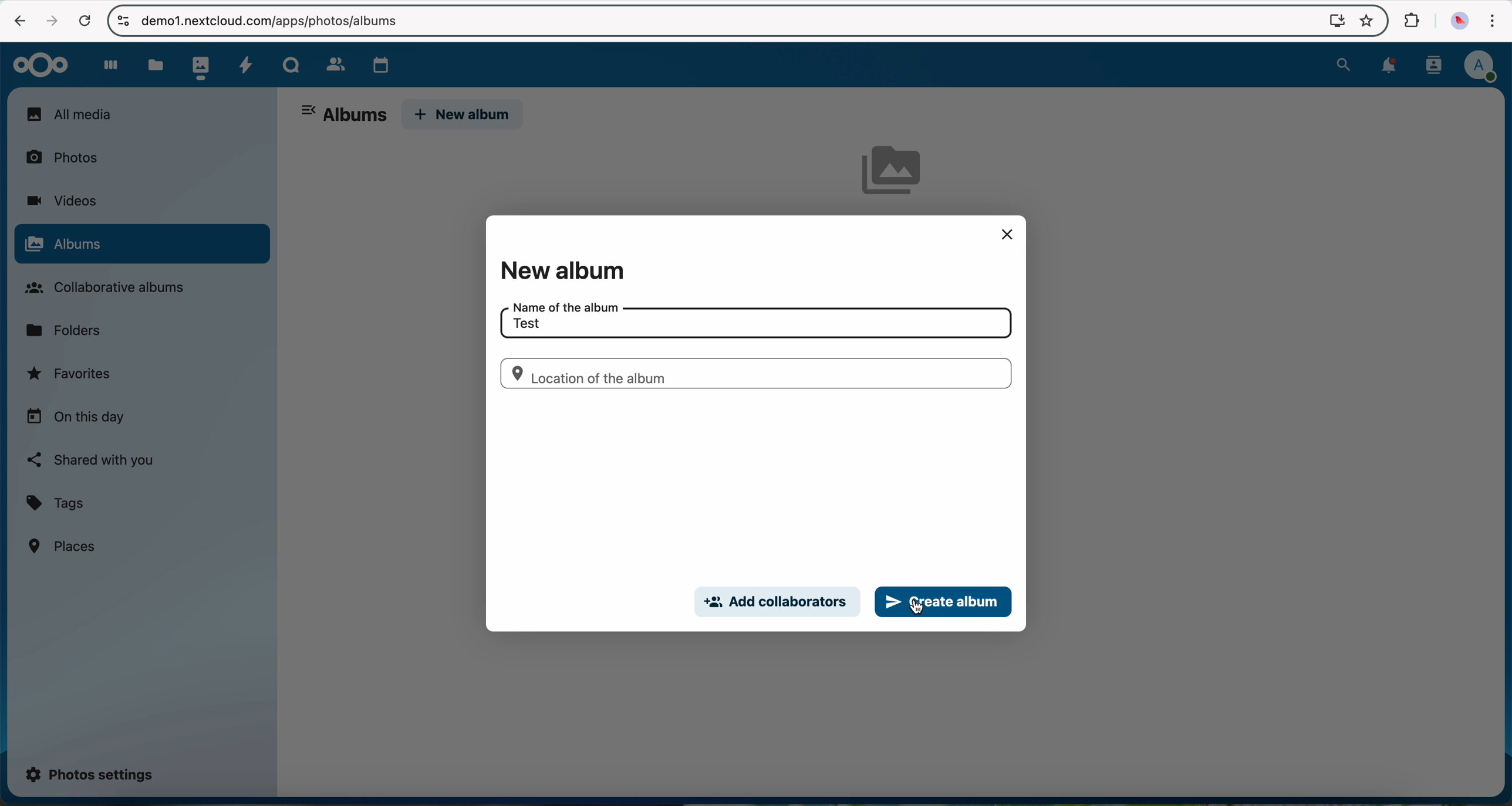 The width and height of the screenshot is (1512, 806). What do you see at coordinates (1410, 21) in the screenshot?
I see `extensions` at bounding box center [1410, 21].